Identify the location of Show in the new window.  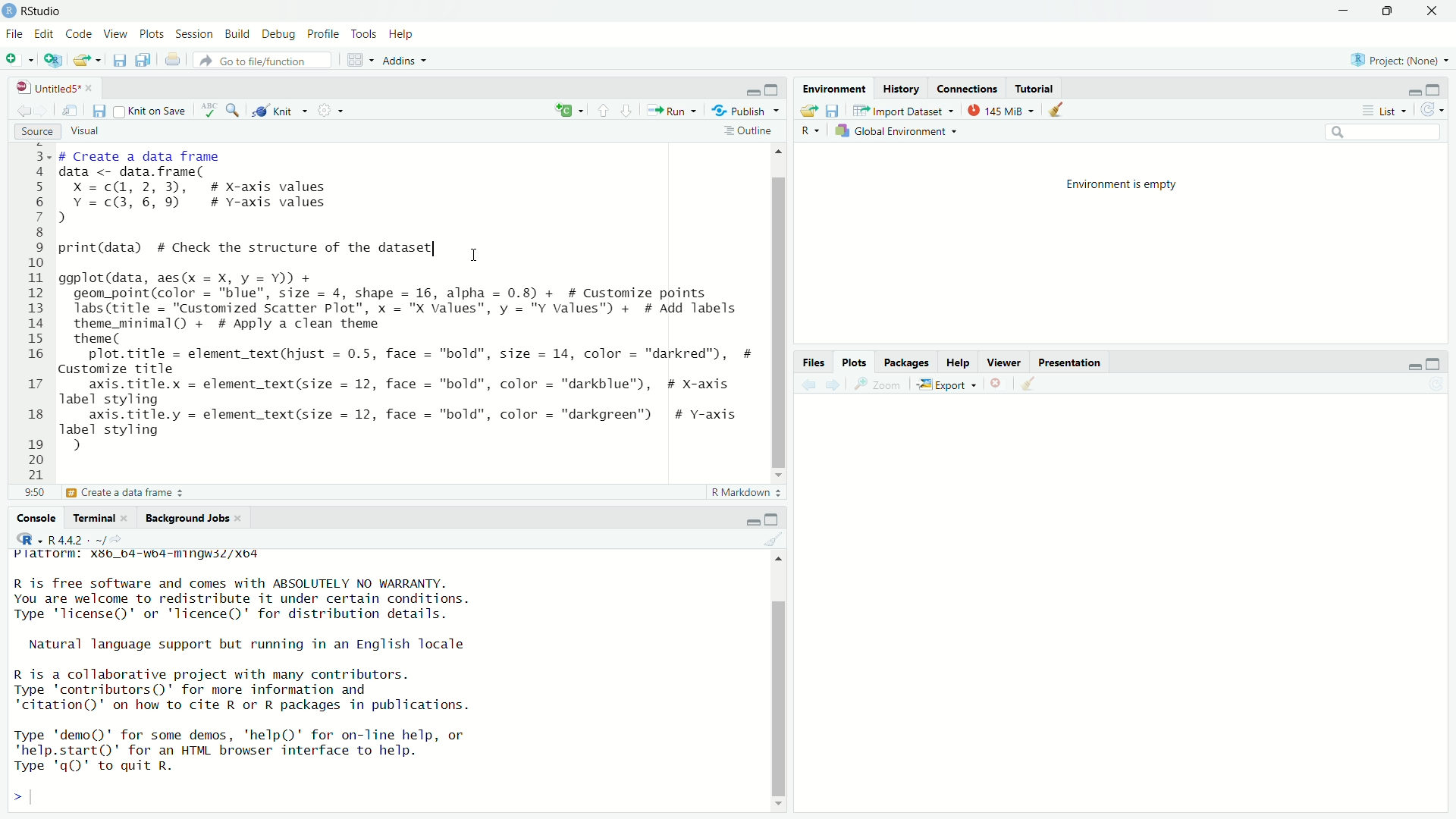
(71, 115).